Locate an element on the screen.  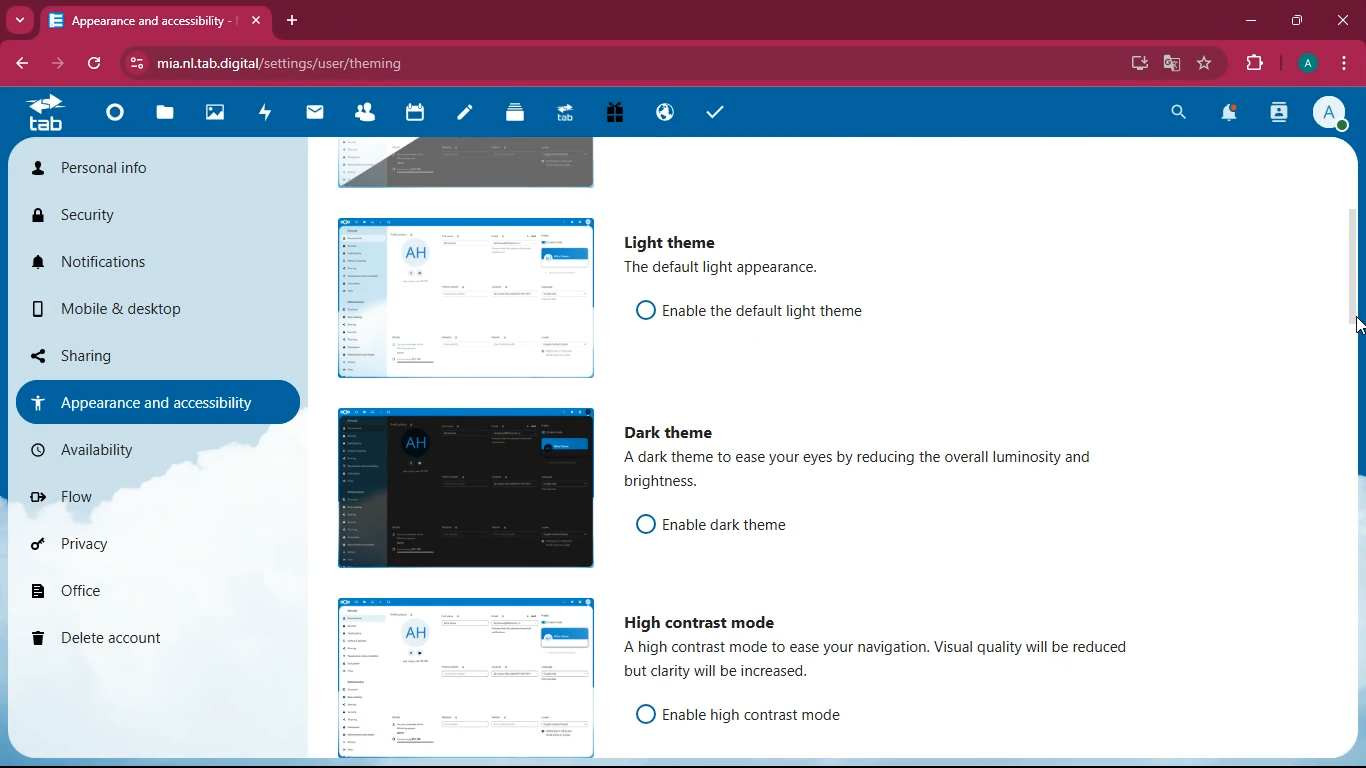
light theme is located at coordinates (667, 241).